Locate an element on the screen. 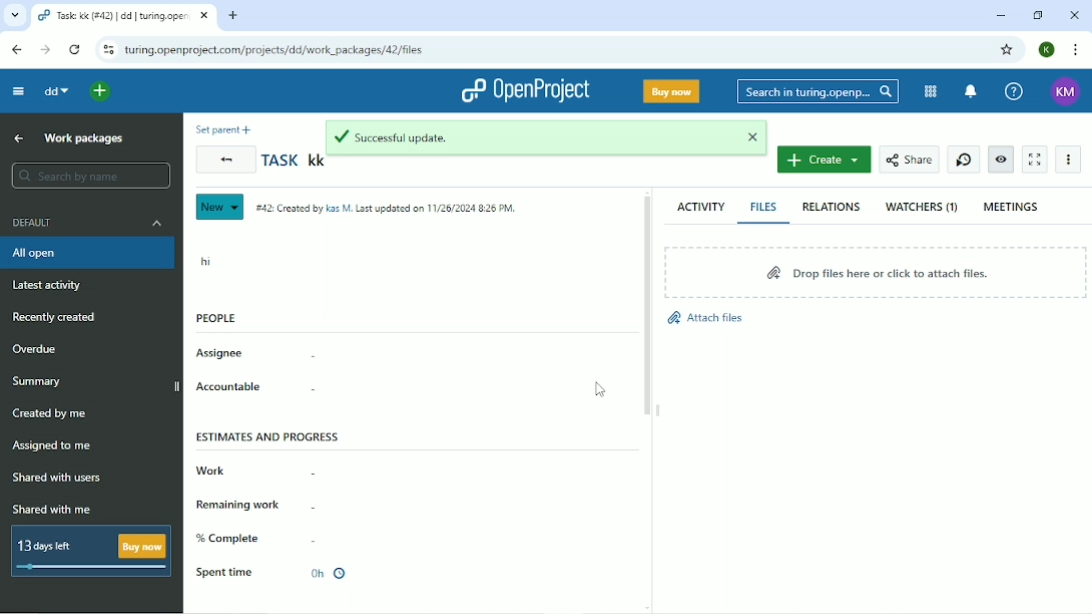  % Complete is located at coordinates (257, 536).